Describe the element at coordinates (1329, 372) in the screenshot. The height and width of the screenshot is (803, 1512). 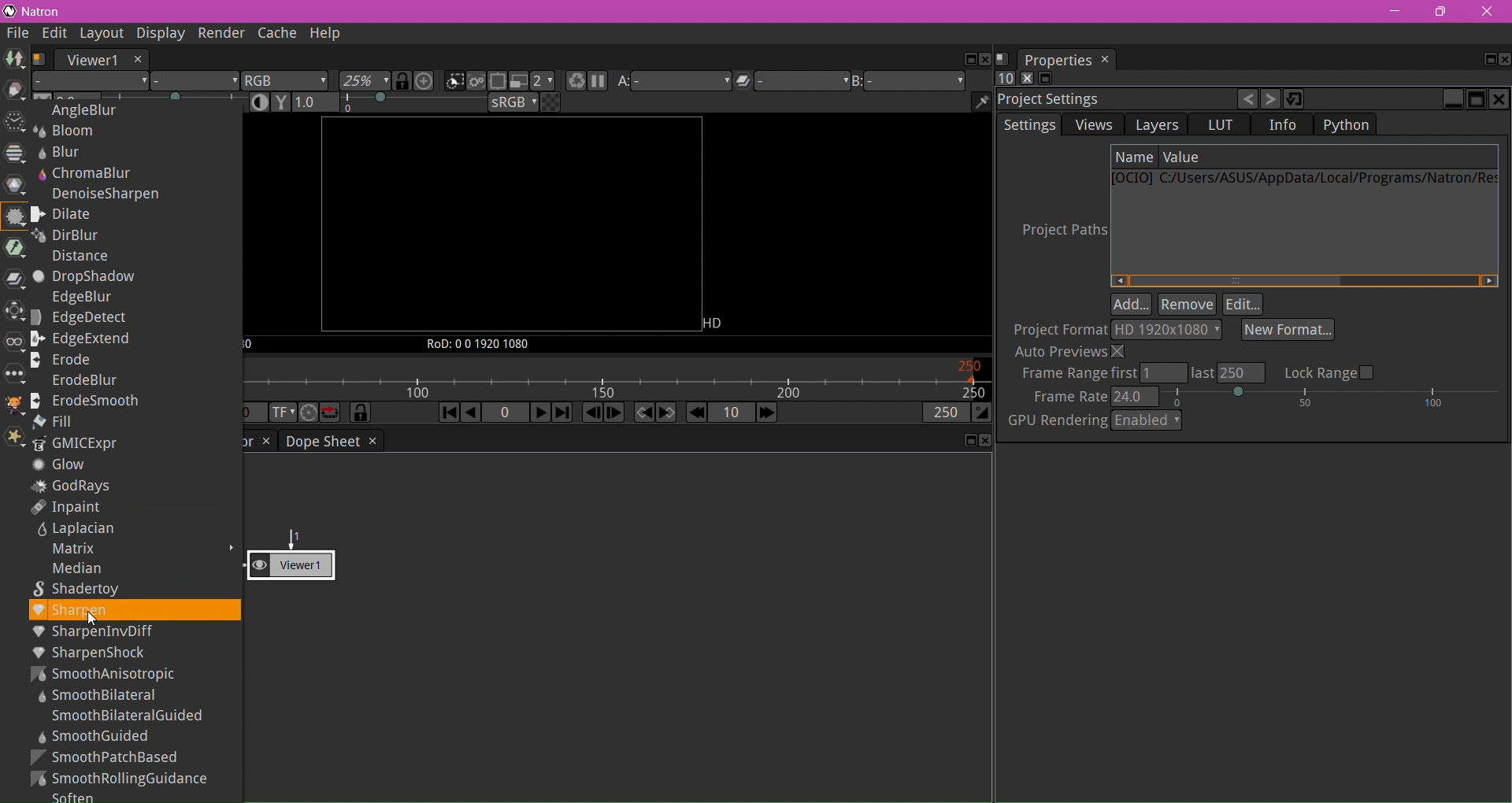
I see `Check to Loack Range` at that location.